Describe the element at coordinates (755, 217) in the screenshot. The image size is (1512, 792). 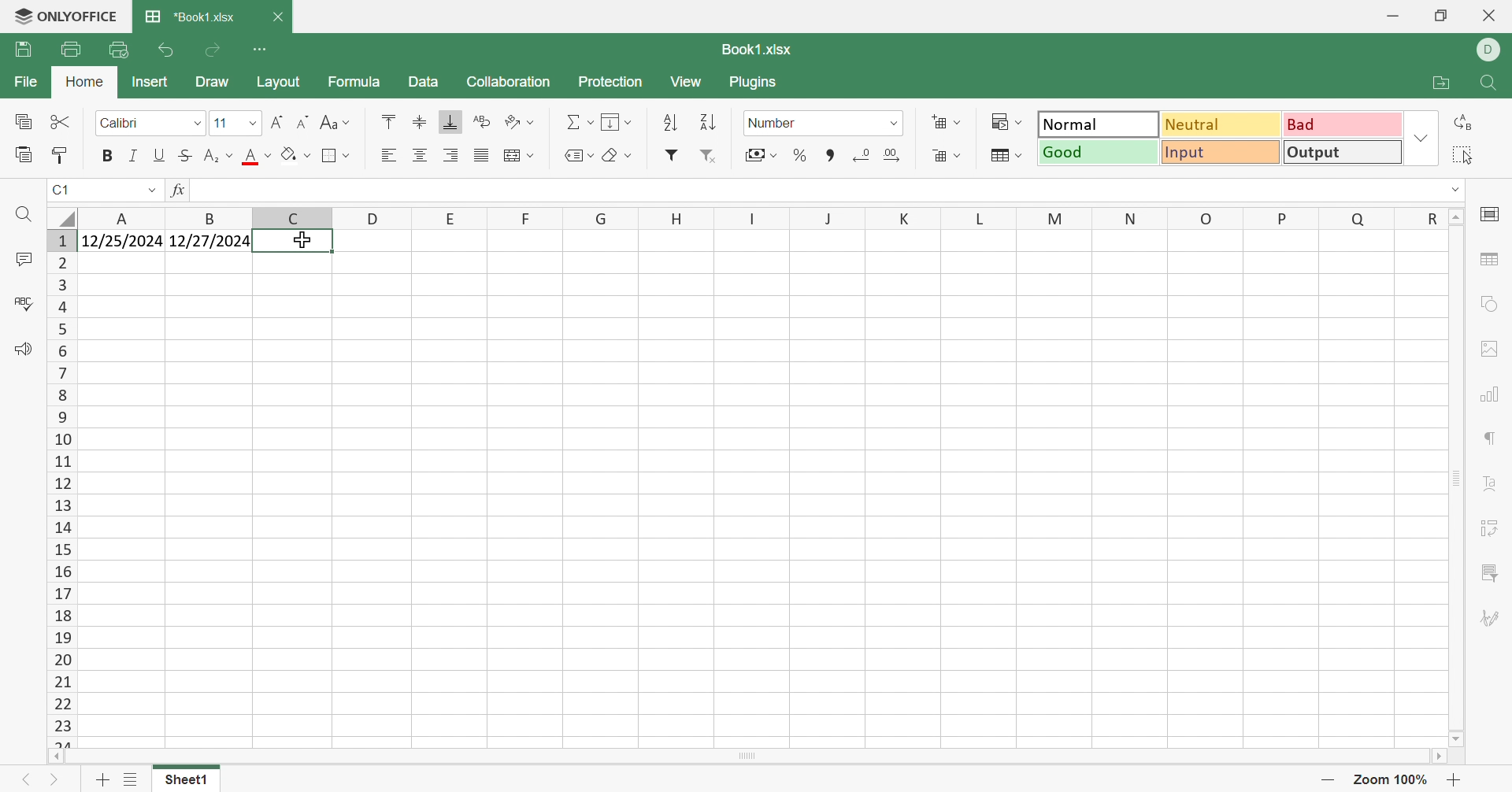
I see `Column Names` at that location.